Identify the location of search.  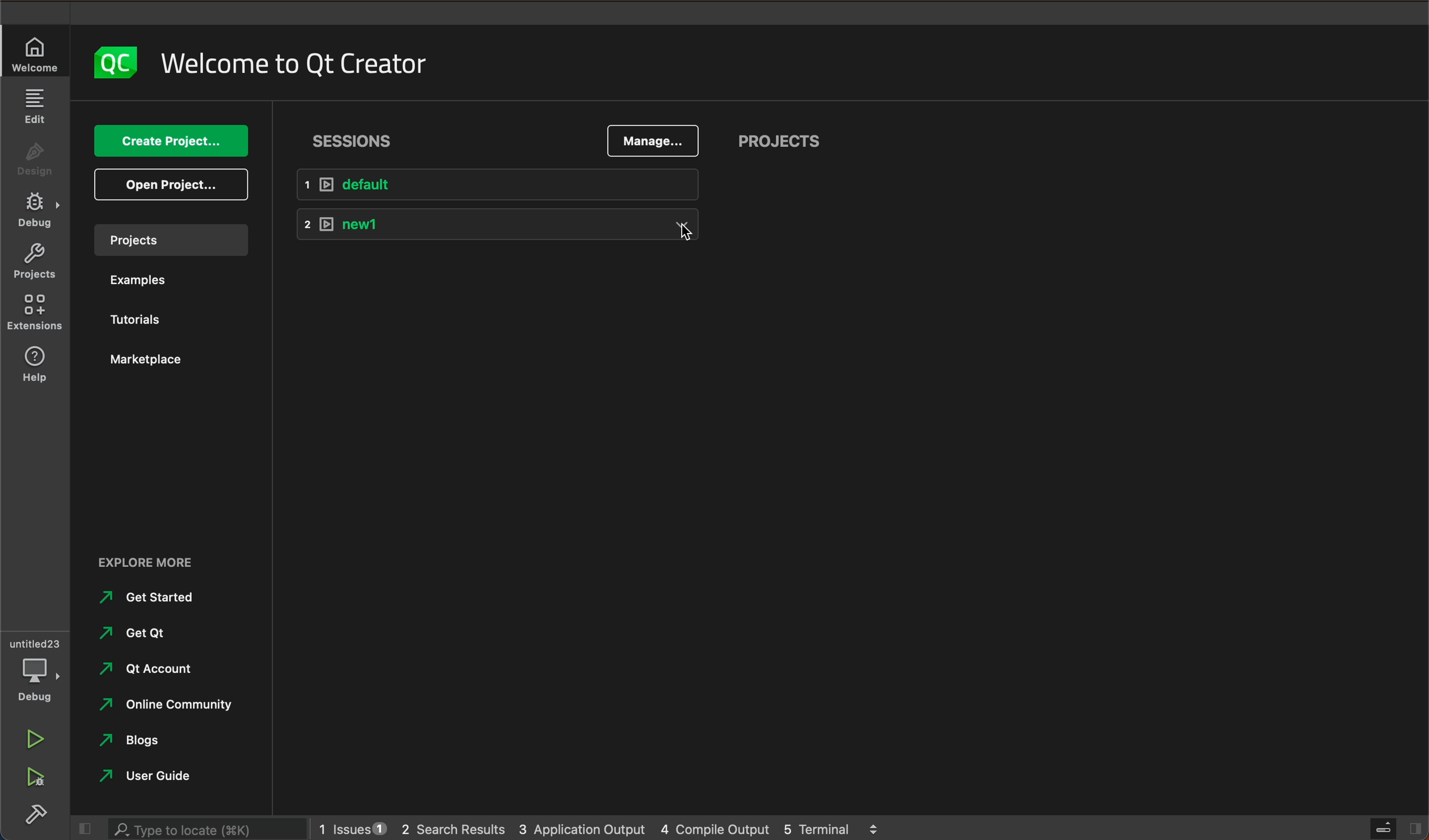
(204, 829).